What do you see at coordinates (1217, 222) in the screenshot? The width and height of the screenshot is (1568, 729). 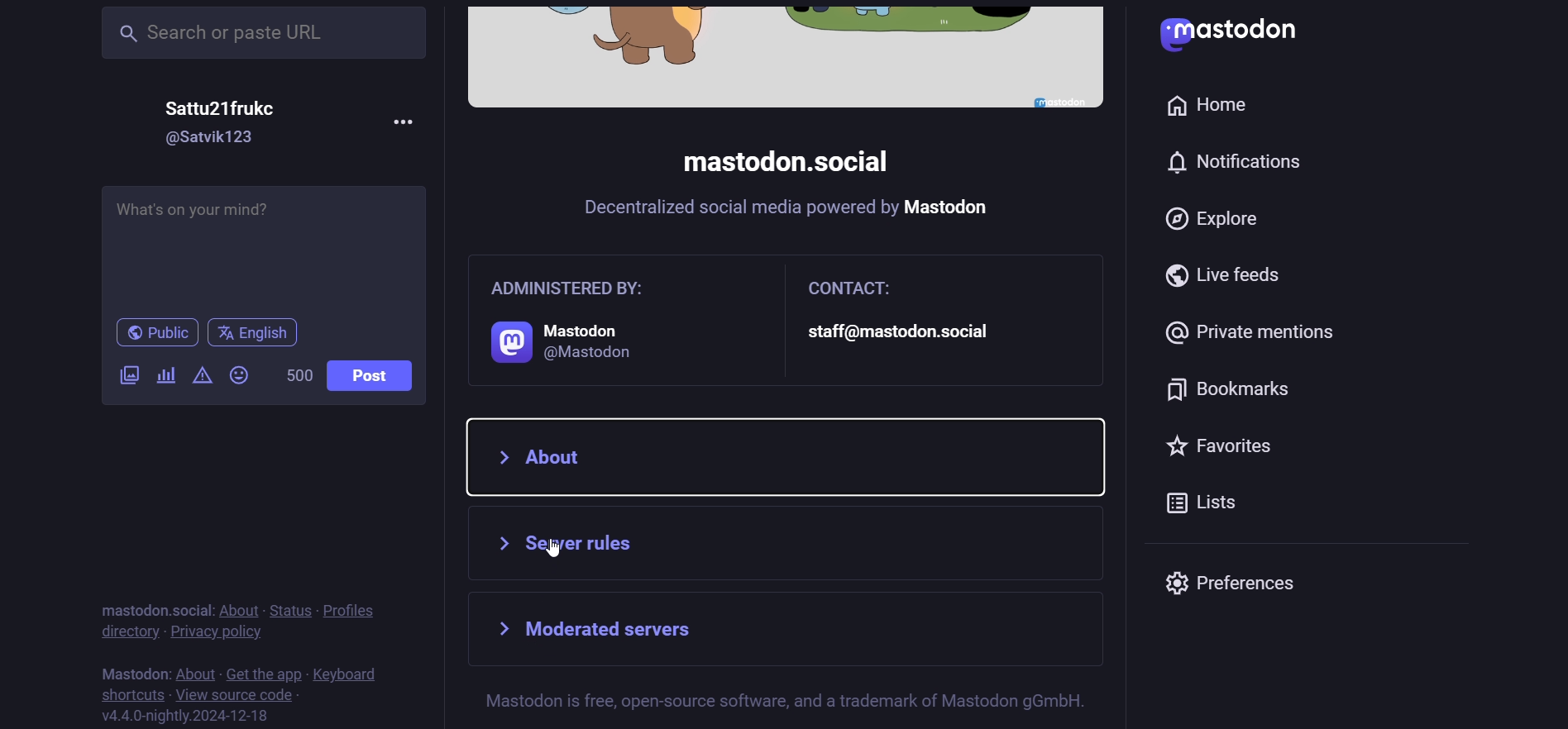 I see `explore` at bounding box center [1217, 222].